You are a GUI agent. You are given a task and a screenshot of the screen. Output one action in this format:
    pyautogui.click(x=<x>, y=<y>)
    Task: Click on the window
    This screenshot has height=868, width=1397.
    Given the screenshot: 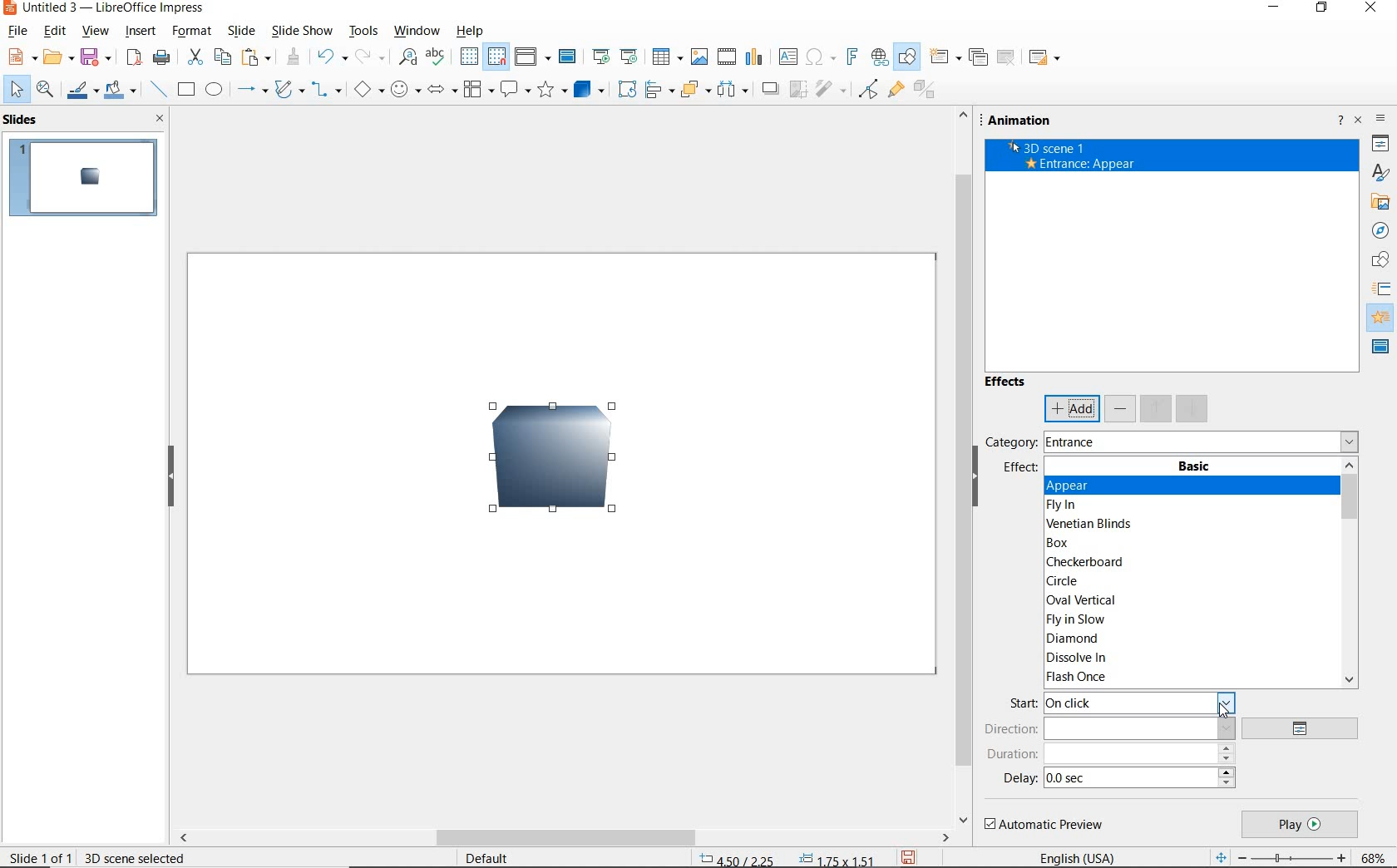 What is the action you would take?
    pyautogui.click(x=415, y=31)
    